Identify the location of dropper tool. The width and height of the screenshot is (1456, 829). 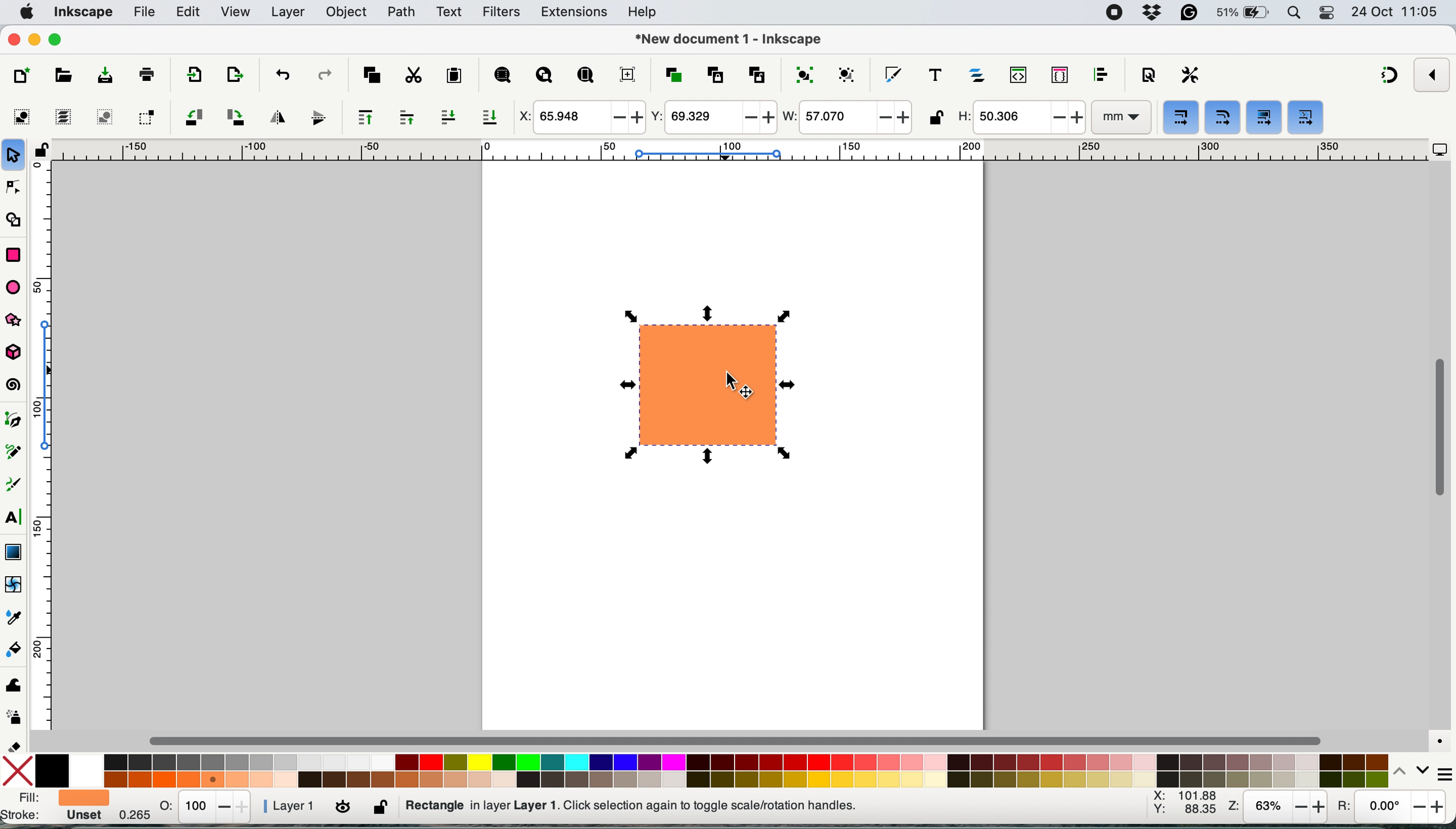
(15, 617).